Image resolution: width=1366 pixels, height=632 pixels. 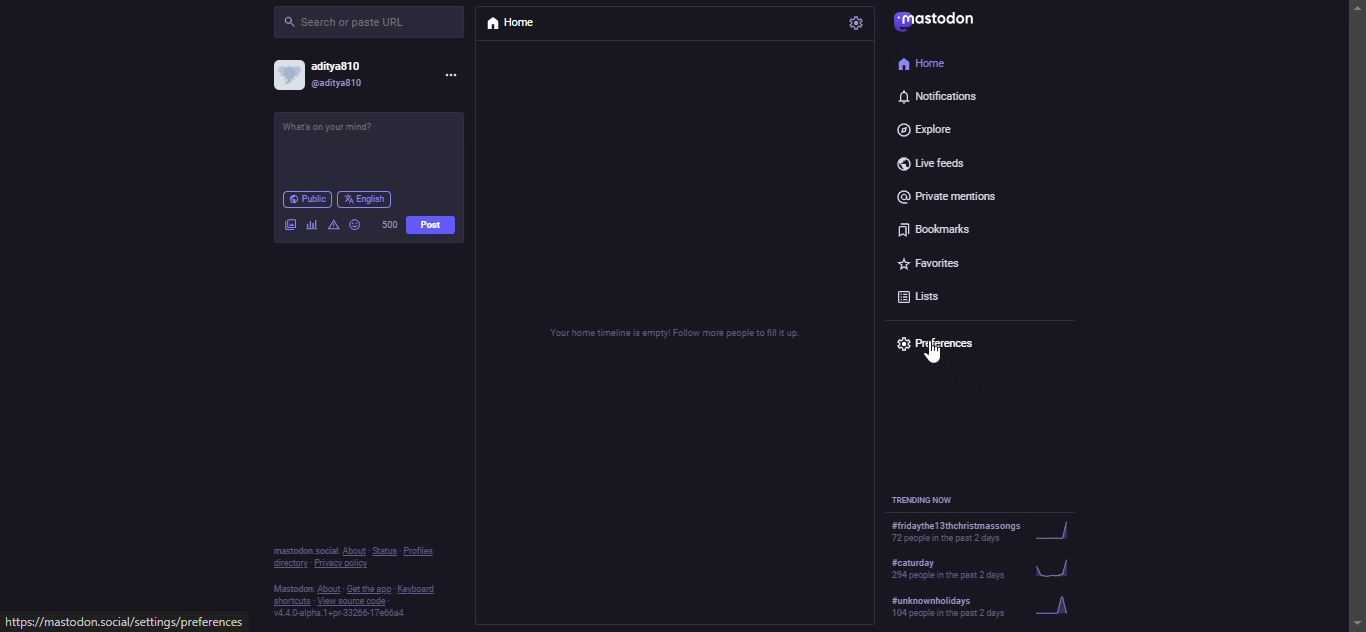 I want to click on post, so click(x=338, y=125).